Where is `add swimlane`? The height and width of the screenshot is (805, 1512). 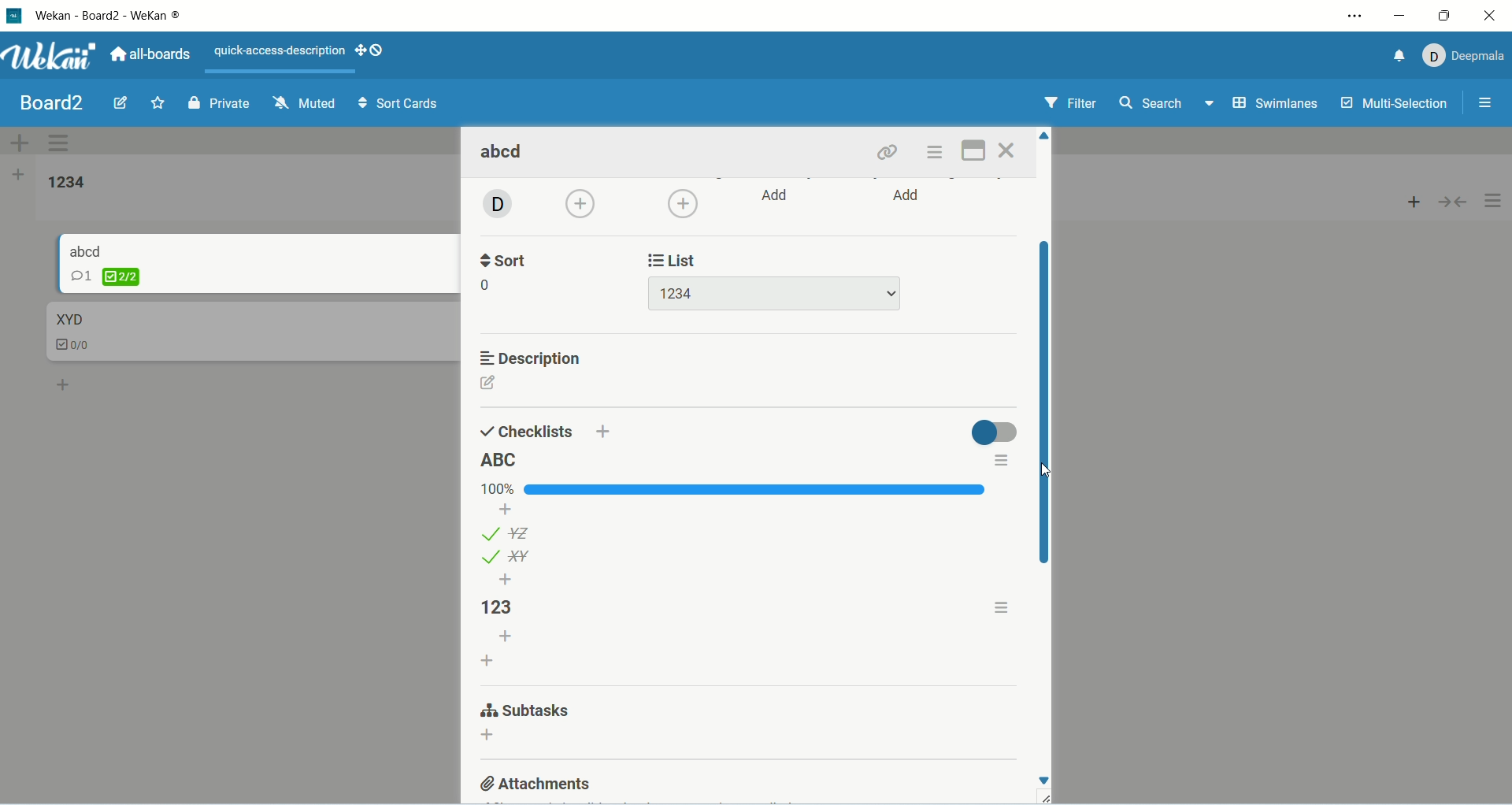
add swimlane is located at coordinates (16, 139).